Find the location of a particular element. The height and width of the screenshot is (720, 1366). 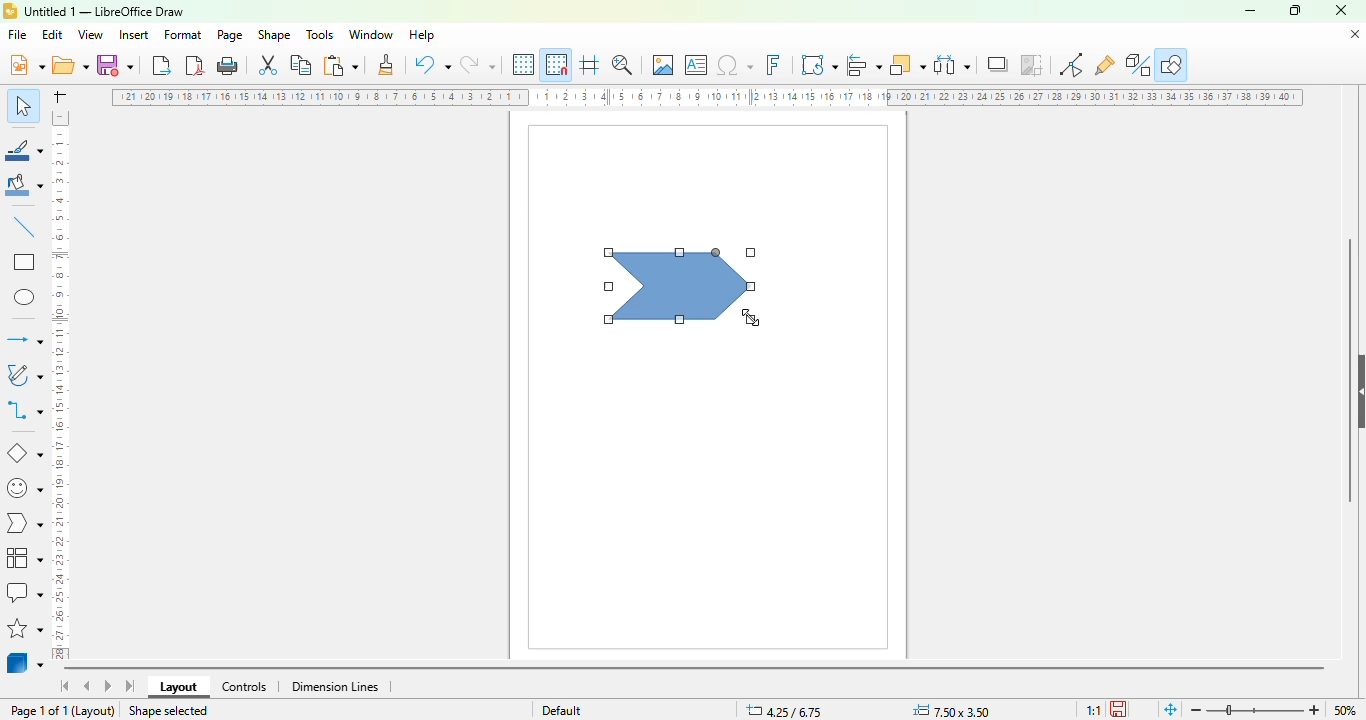

calllout shapes is located at coordinates (24, 592).